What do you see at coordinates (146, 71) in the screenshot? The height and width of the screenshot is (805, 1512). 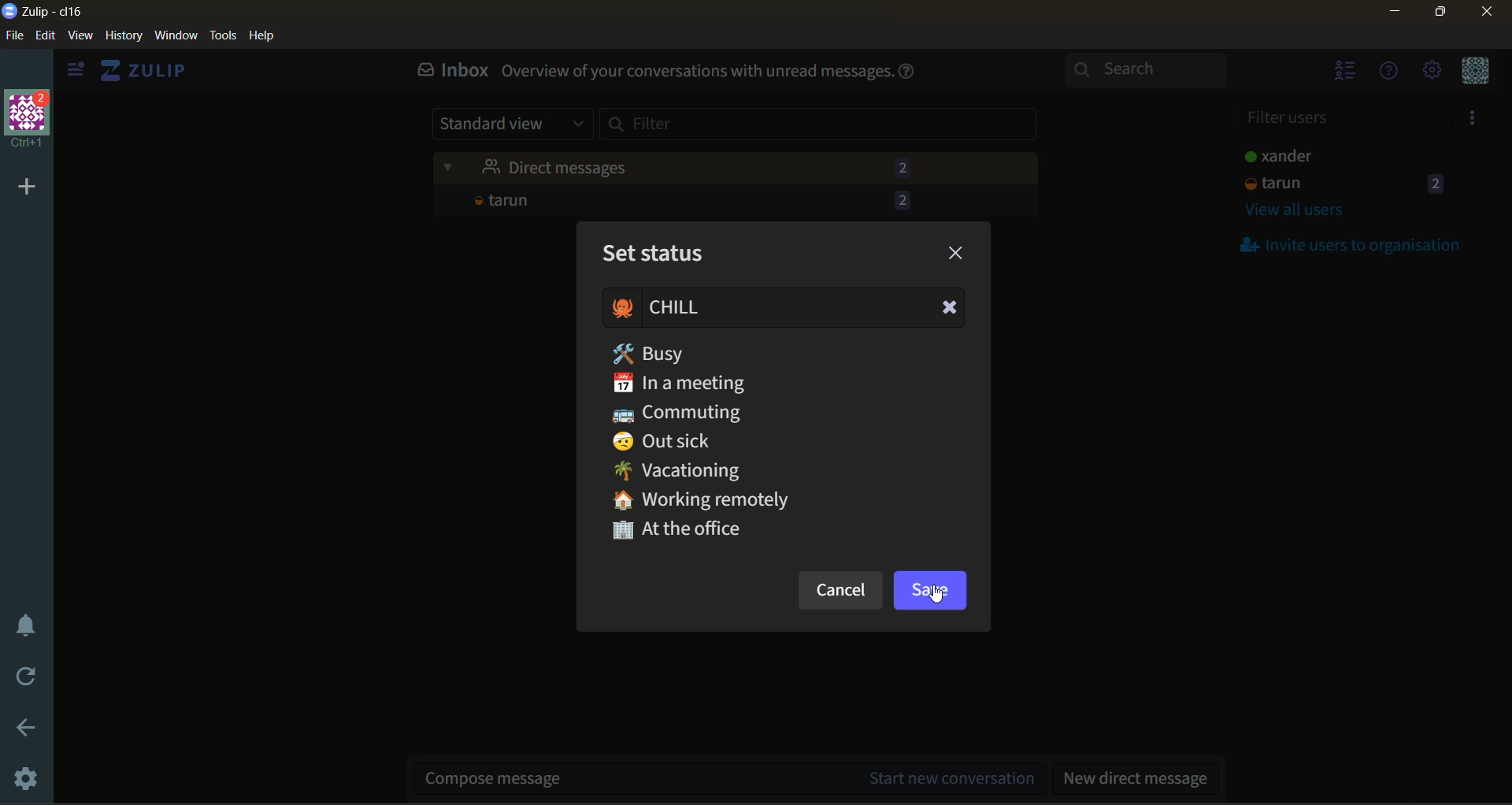 I see `view home` at bounding box center [146, 71].